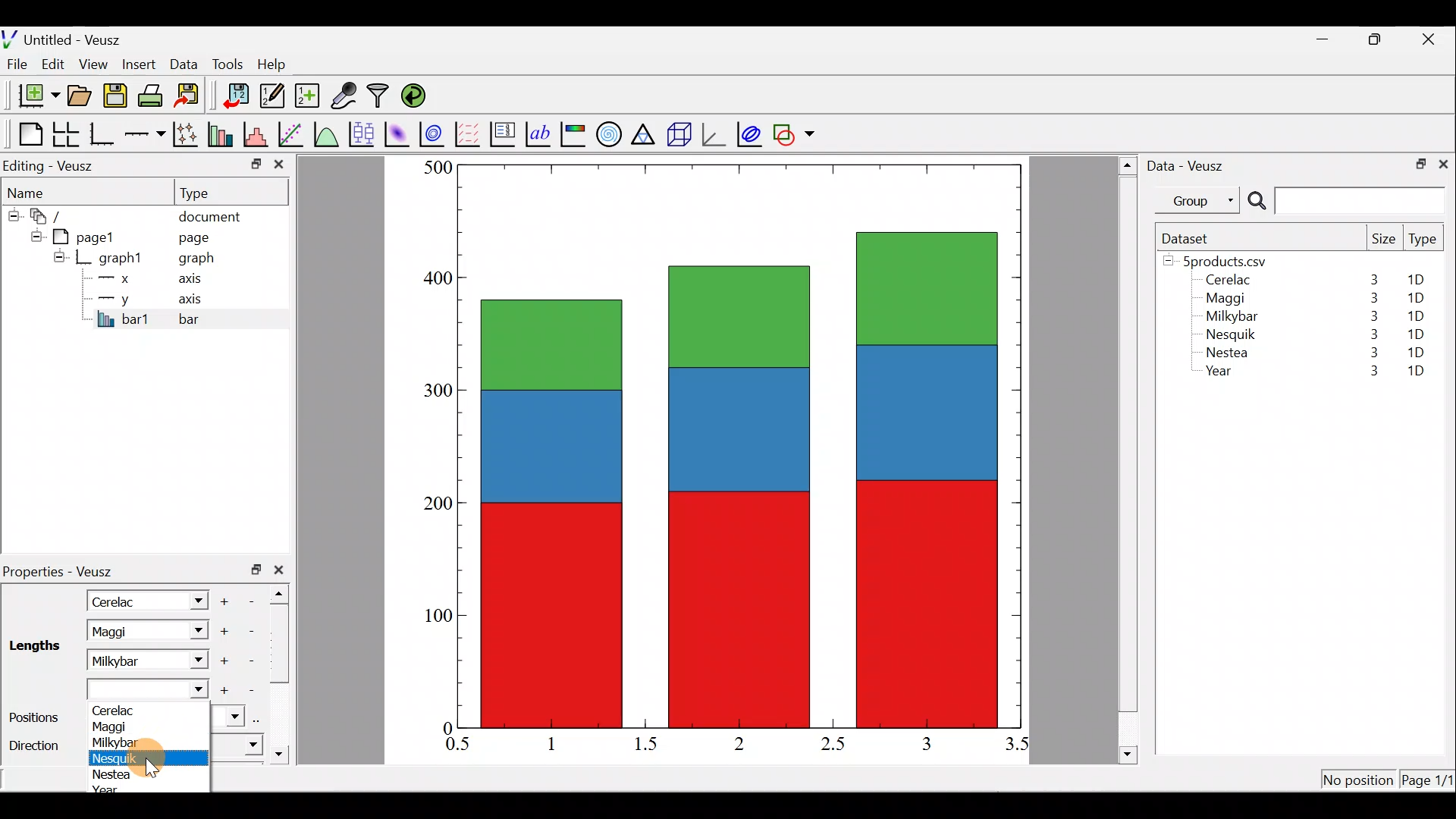 The height and width of the screenshot is (819, 1456). I want to click on Lengths, so click(33, 648).